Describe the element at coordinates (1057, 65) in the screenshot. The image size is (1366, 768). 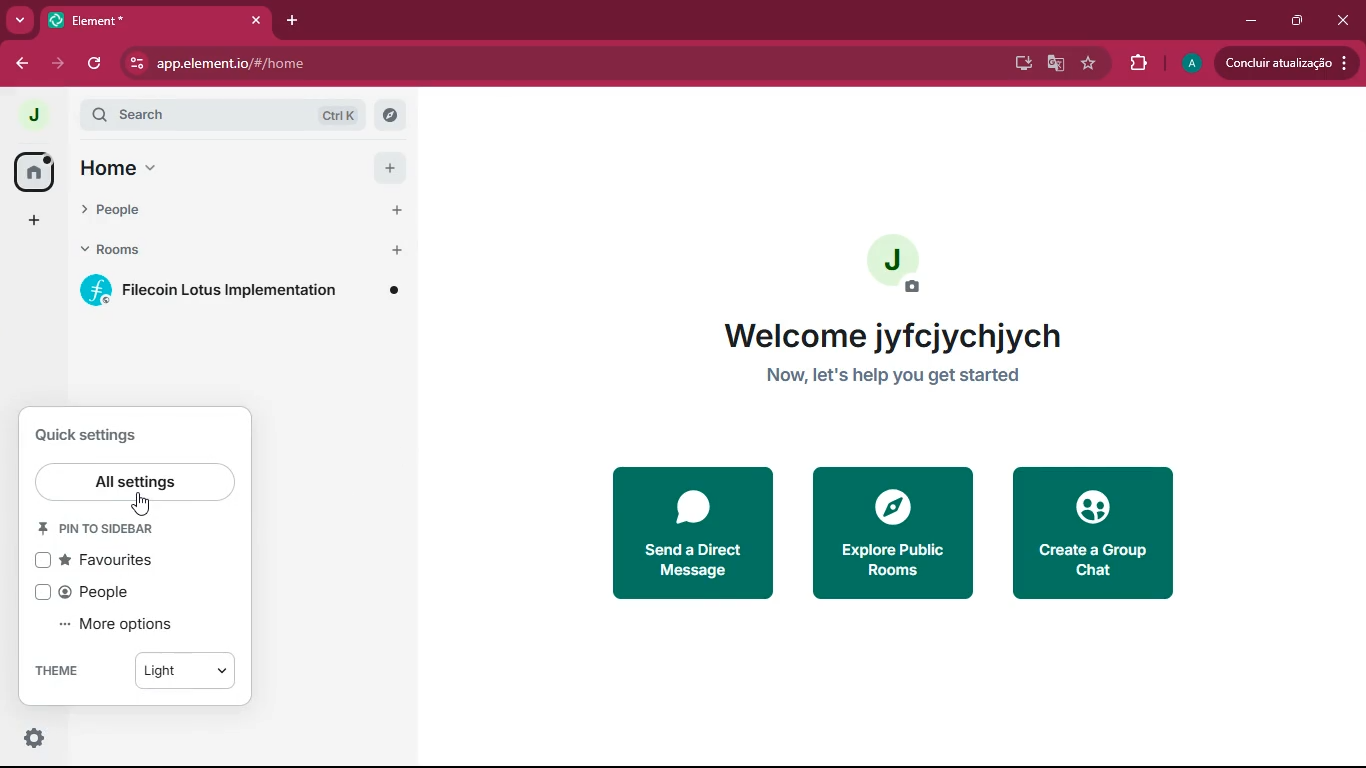
I see `google translate` at that location.